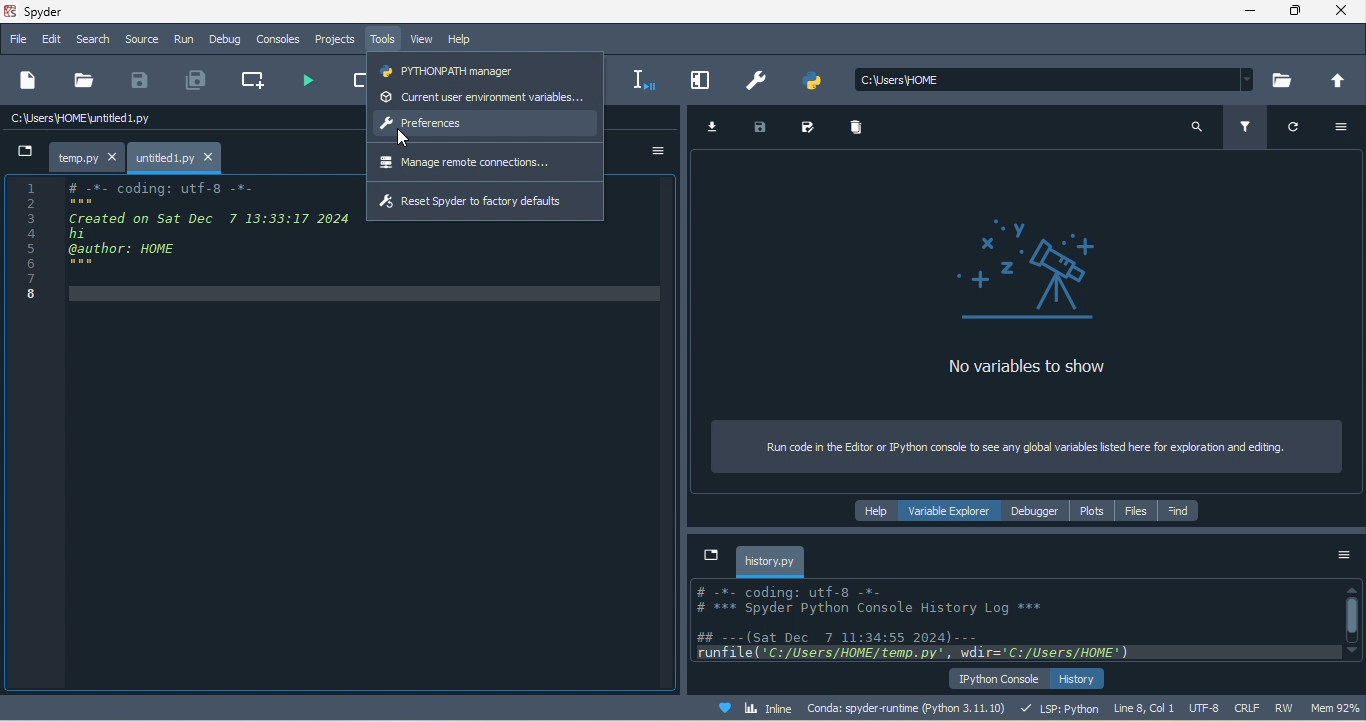 This screenshot has width=1366, height=722. Describe the element at coordinates (1244, 706) in the screenshot. I see `crlf` at that location.